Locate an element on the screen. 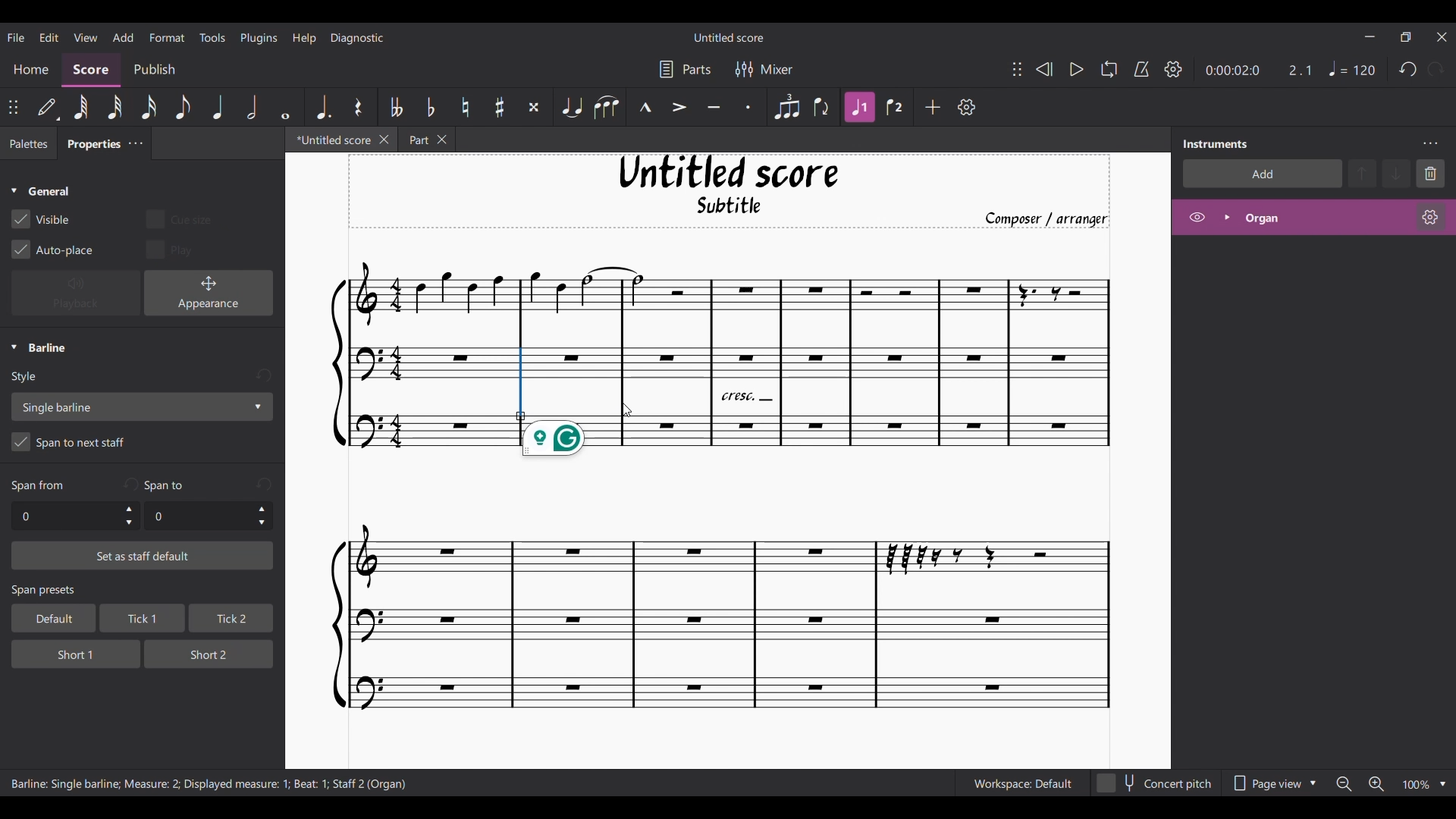 This screenshot has height=819, width=1456. Zoom options is located at coordinates (1443, 784).